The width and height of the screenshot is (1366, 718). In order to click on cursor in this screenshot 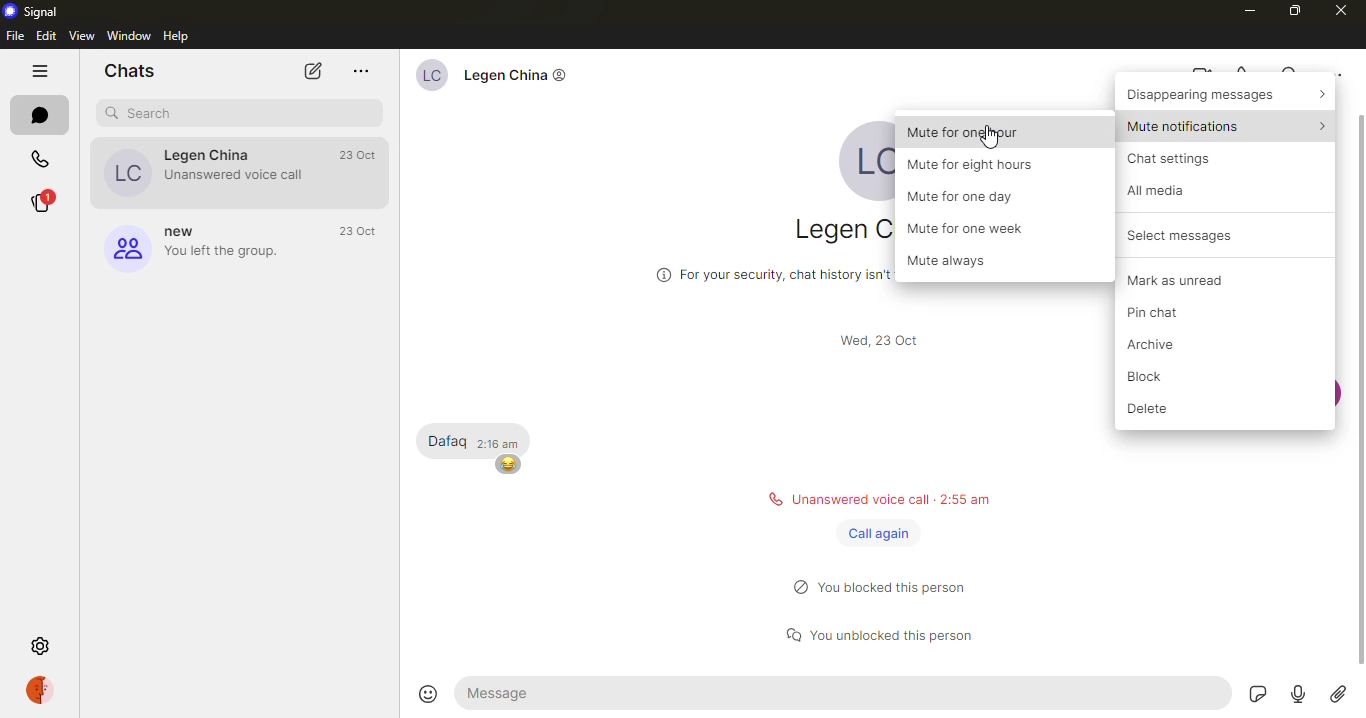, I will do `click(987, 137)`.